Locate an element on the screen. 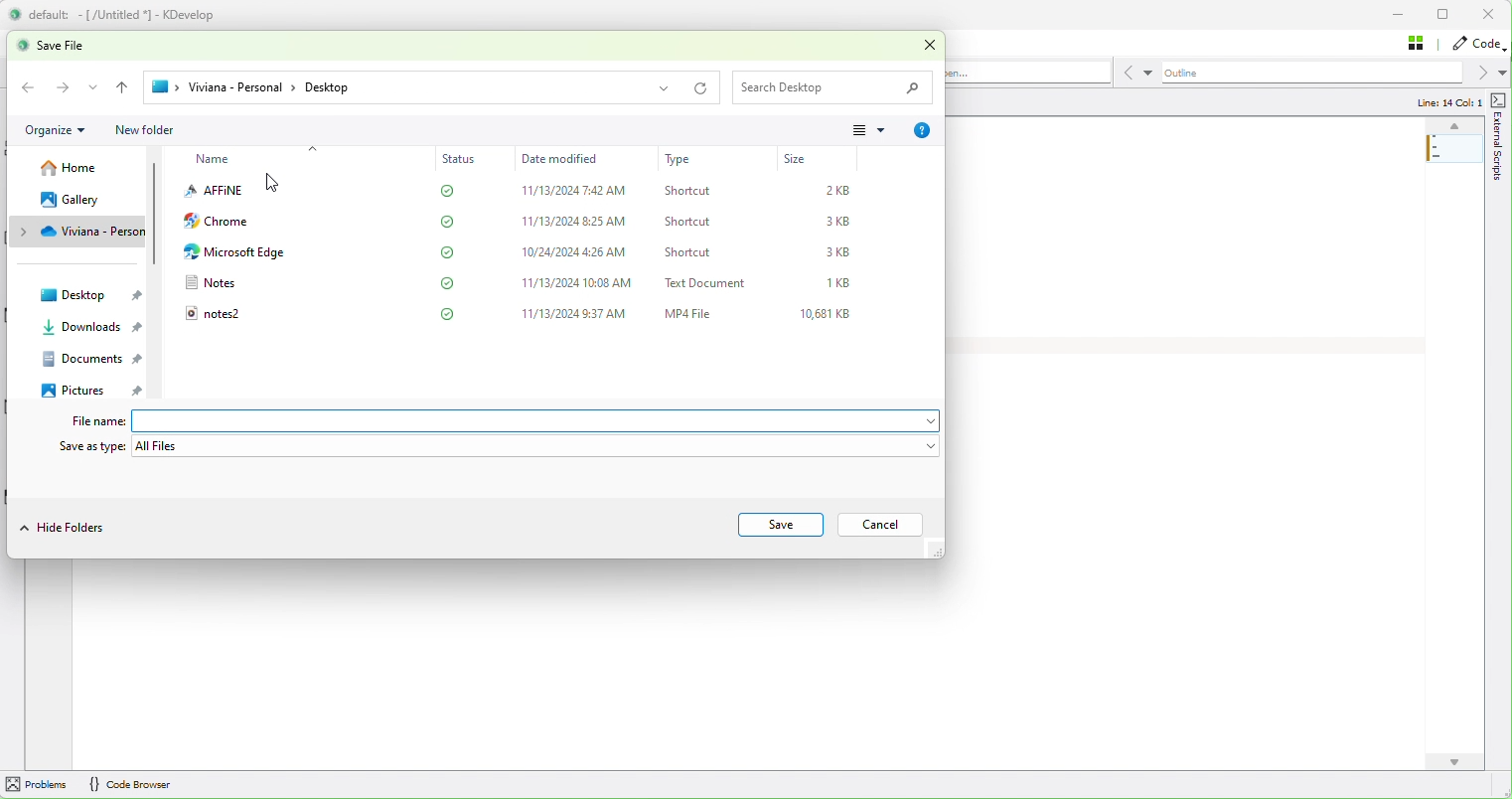 This screenshot has width=1512, height=799. Microsoft Edge is located at coordinates (233, 252).